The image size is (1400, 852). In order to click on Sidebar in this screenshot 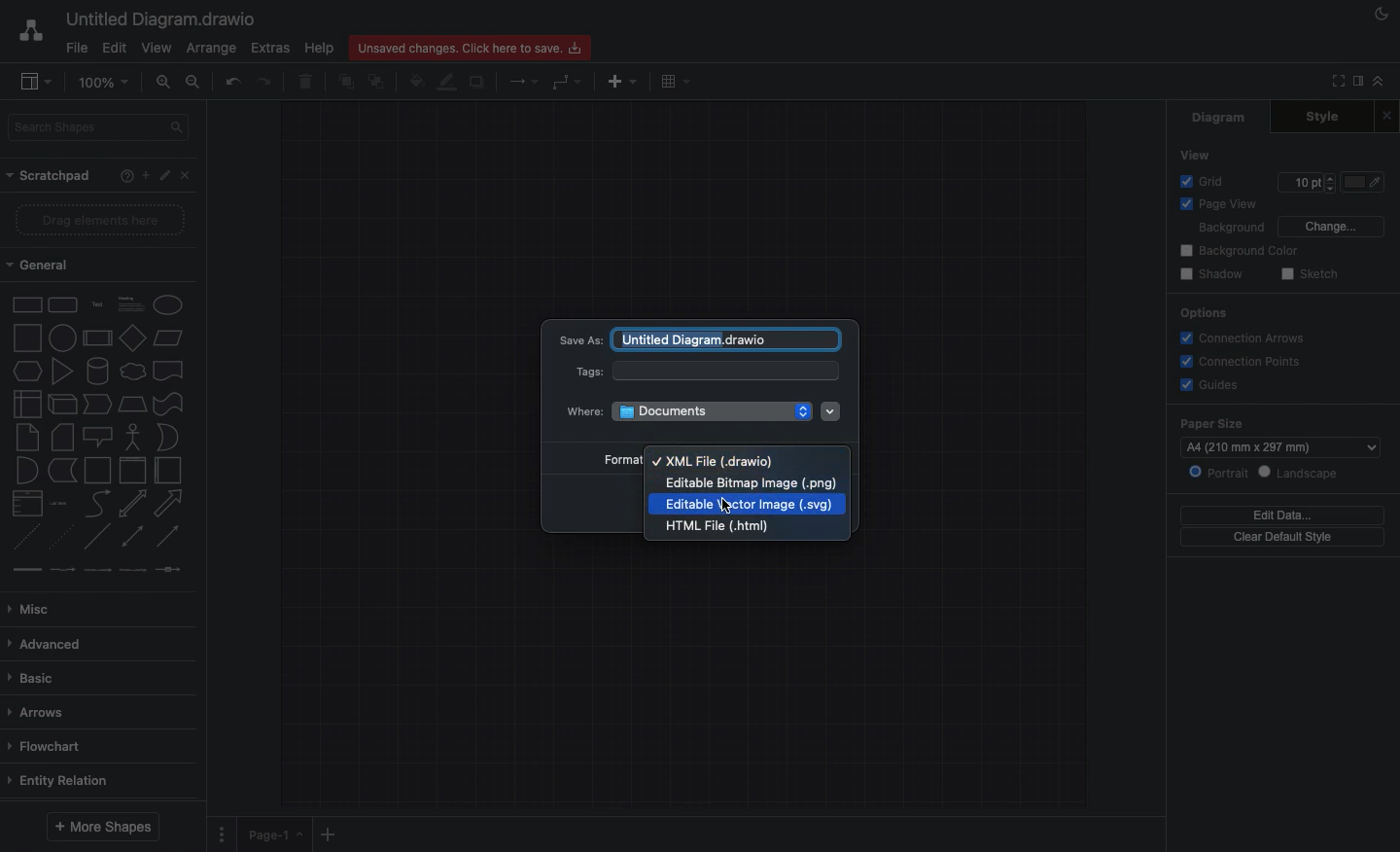, I will do `click(36, 82)`.